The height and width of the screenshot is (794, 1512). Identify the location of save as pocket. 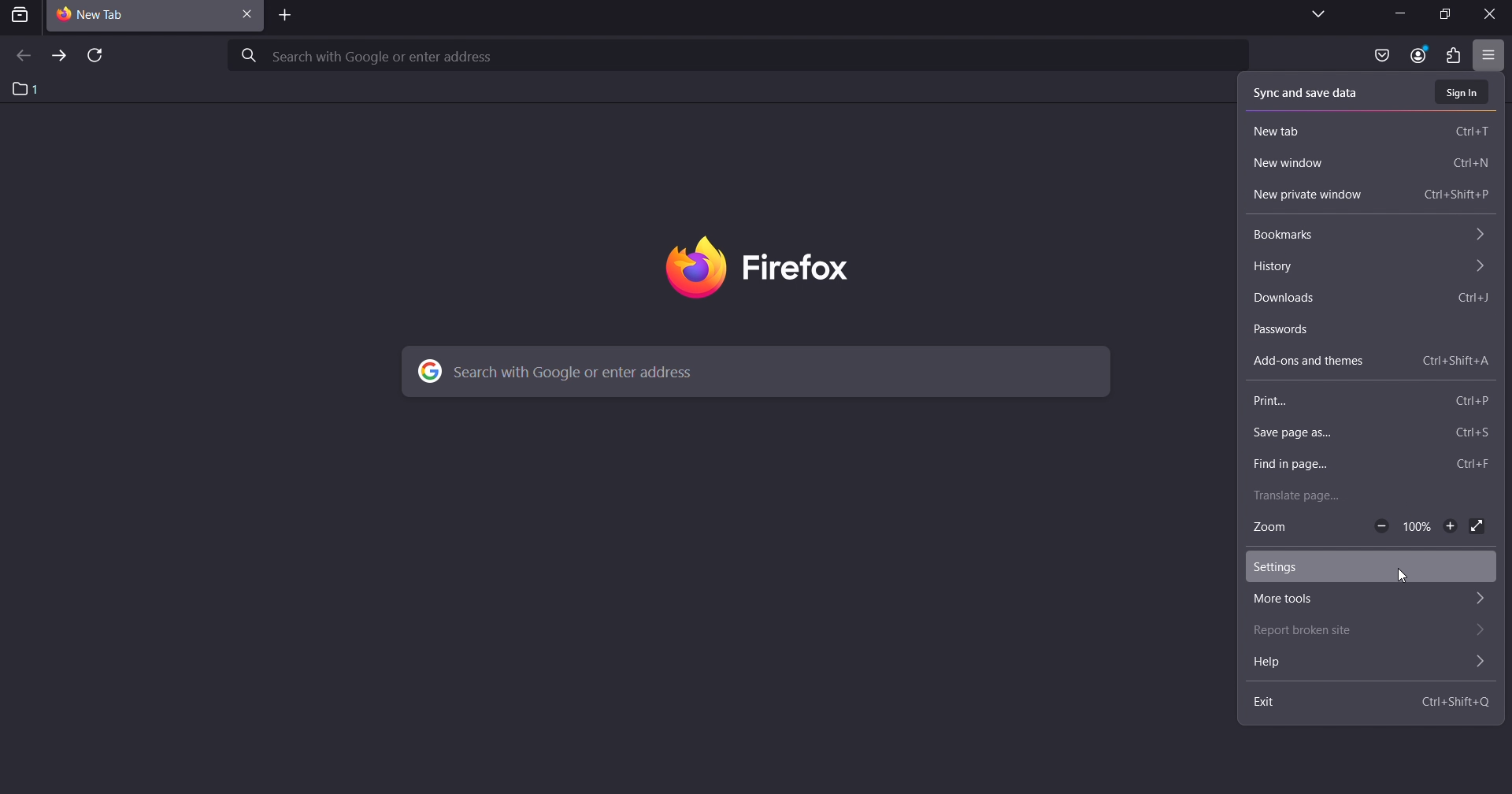
(1381, 56).